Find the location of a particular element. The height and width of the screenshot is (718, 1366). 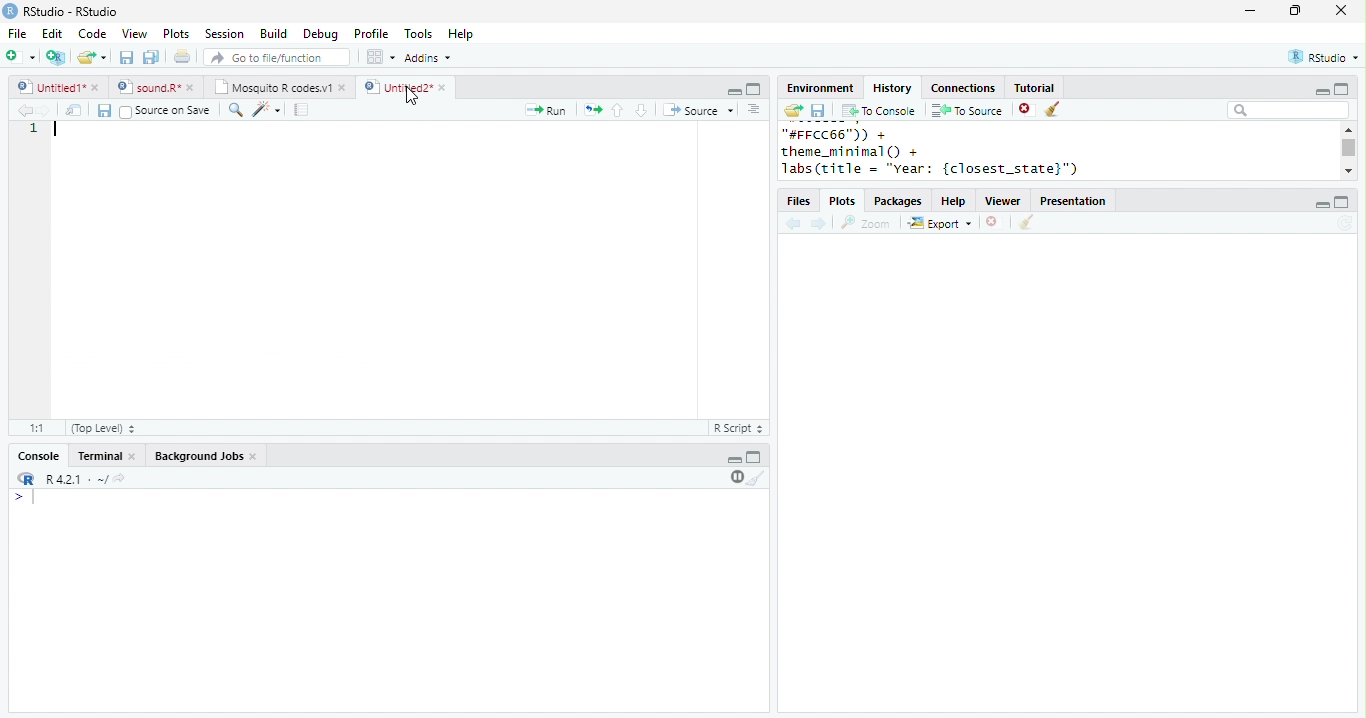

maximize is located at coordinates (753, 89).